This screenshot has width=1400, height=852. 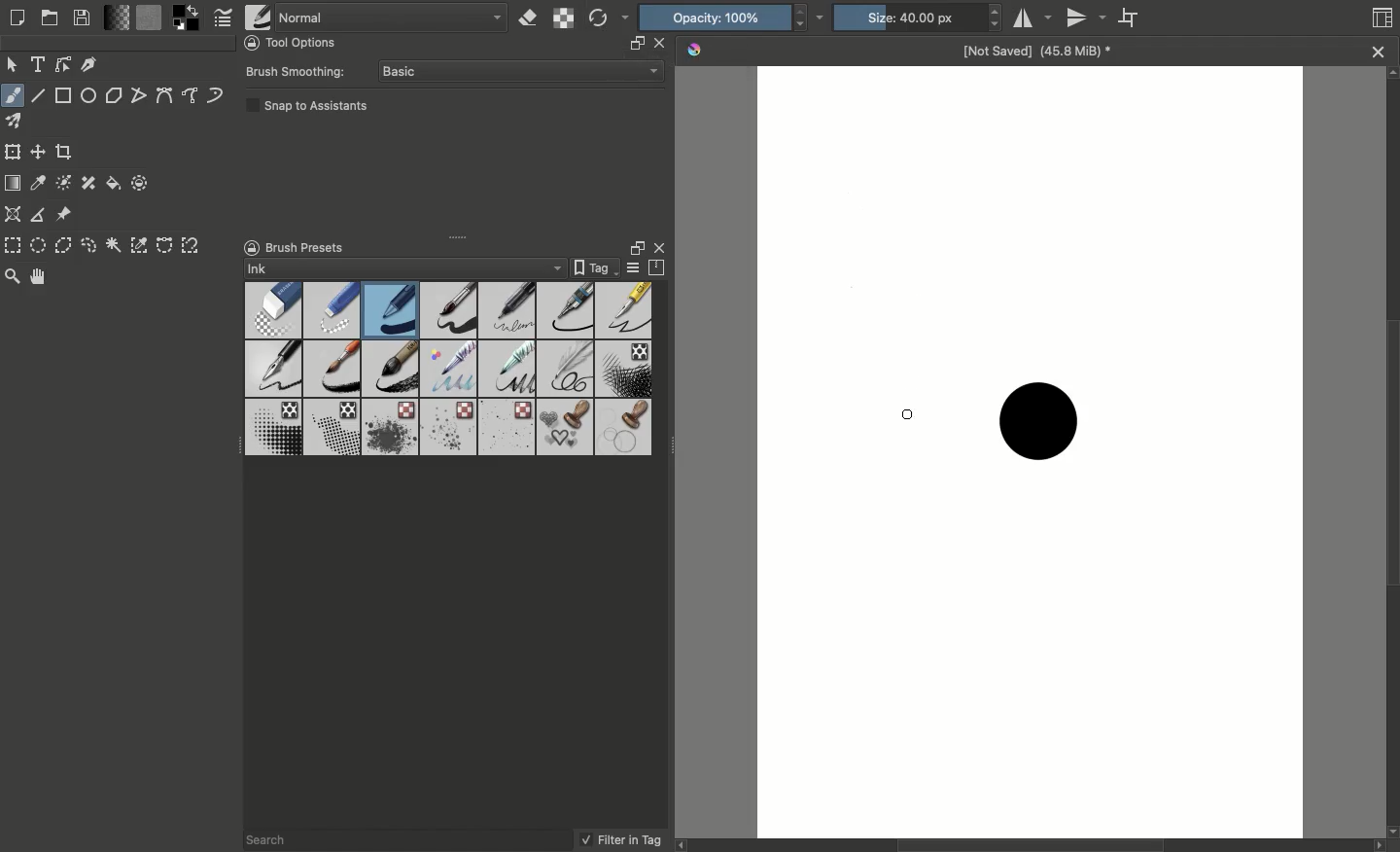 I want to click on resize, so click(x=634, y=44).